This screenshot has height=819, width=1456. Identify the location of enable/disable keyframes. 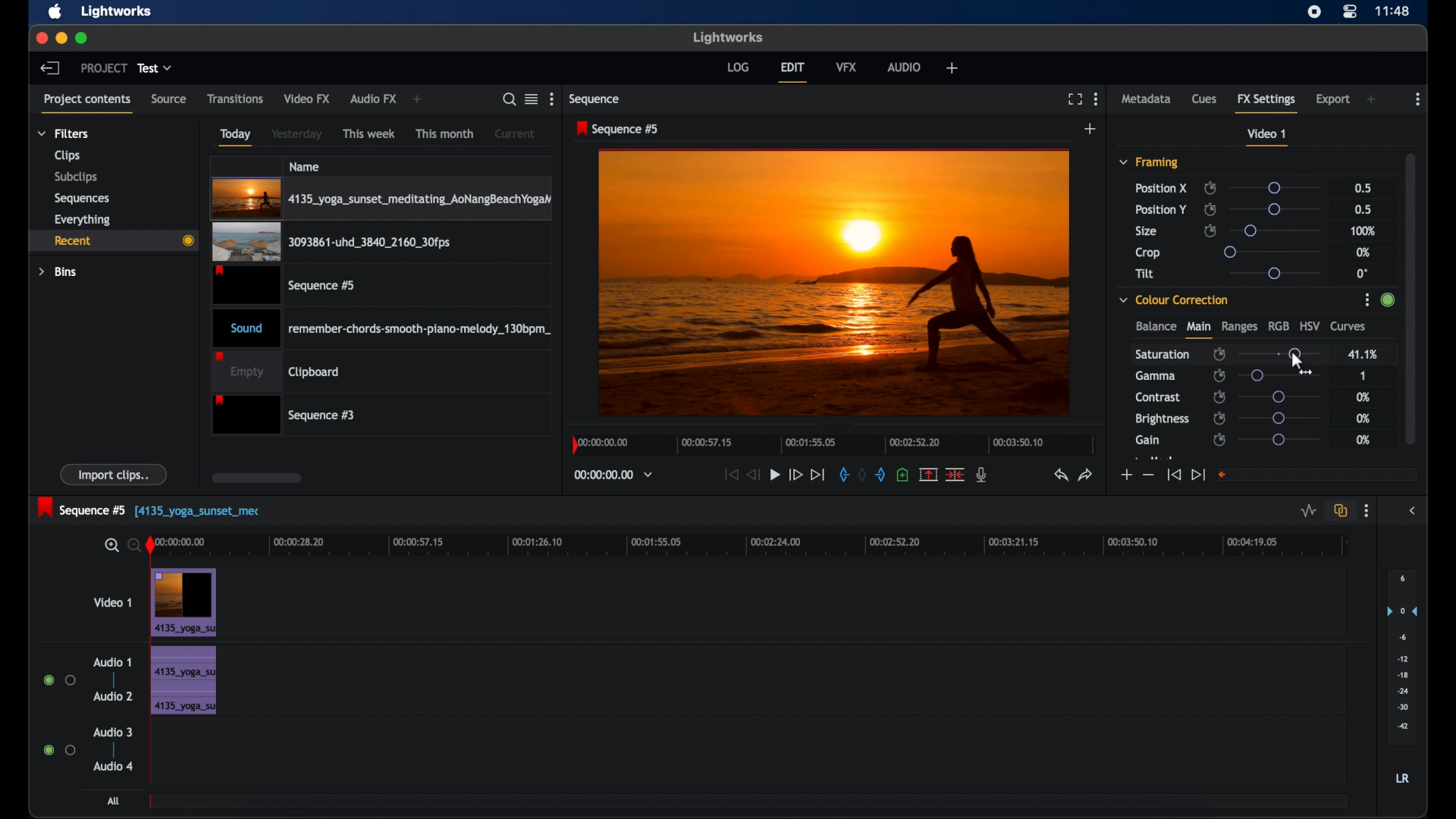
(1219, 375).